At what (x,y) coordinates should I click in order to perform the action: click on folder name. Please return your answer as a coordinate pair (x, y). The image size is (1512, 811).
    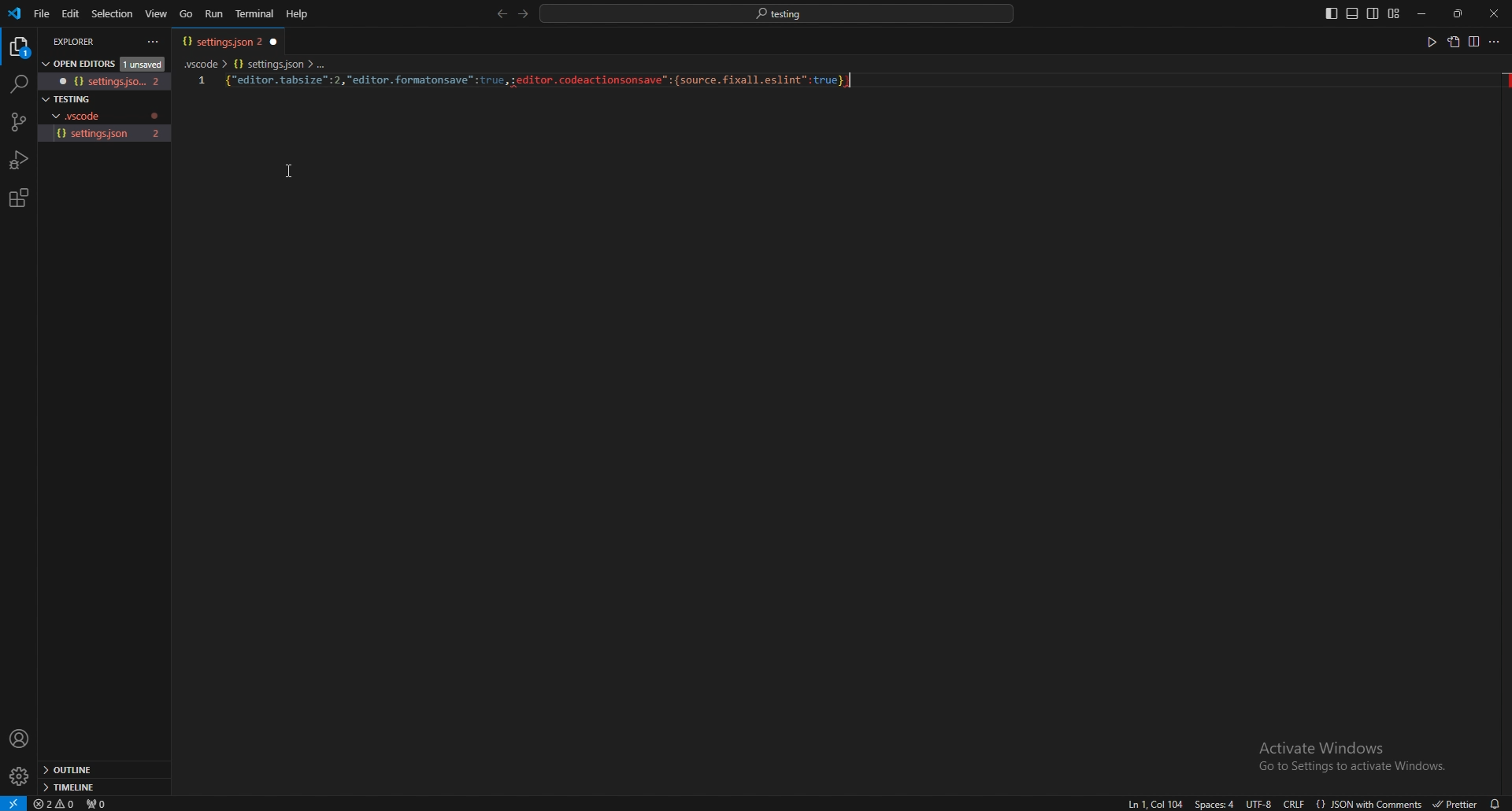
    Looking at the image, I should click on (70, 100).